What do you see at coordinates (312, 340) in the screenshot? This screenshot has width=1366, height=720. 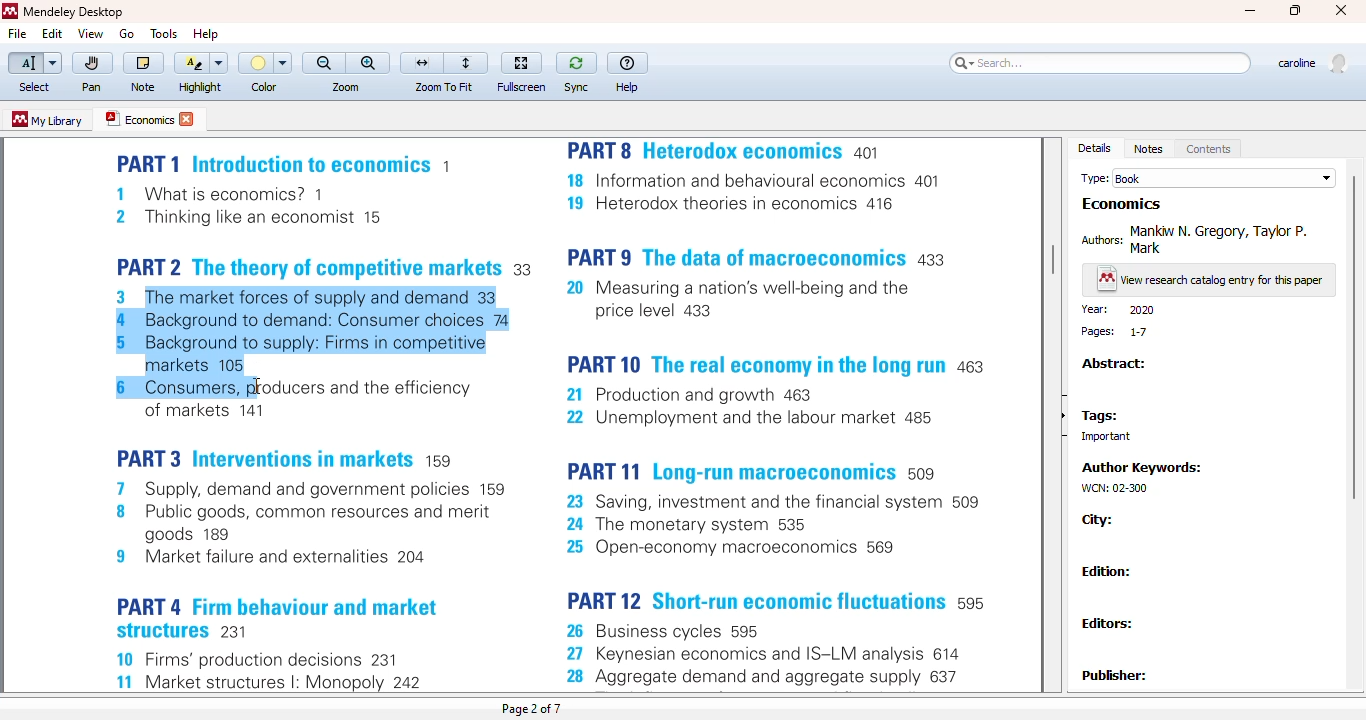 I see `3 The market forces of supply and demand 334 Background to demand: Consumer choices 745 Background to supply: Firms in competitivemarkets 1056 Consumers, producers and the efficiency (highlighted)` at bounding box center [312, 340].